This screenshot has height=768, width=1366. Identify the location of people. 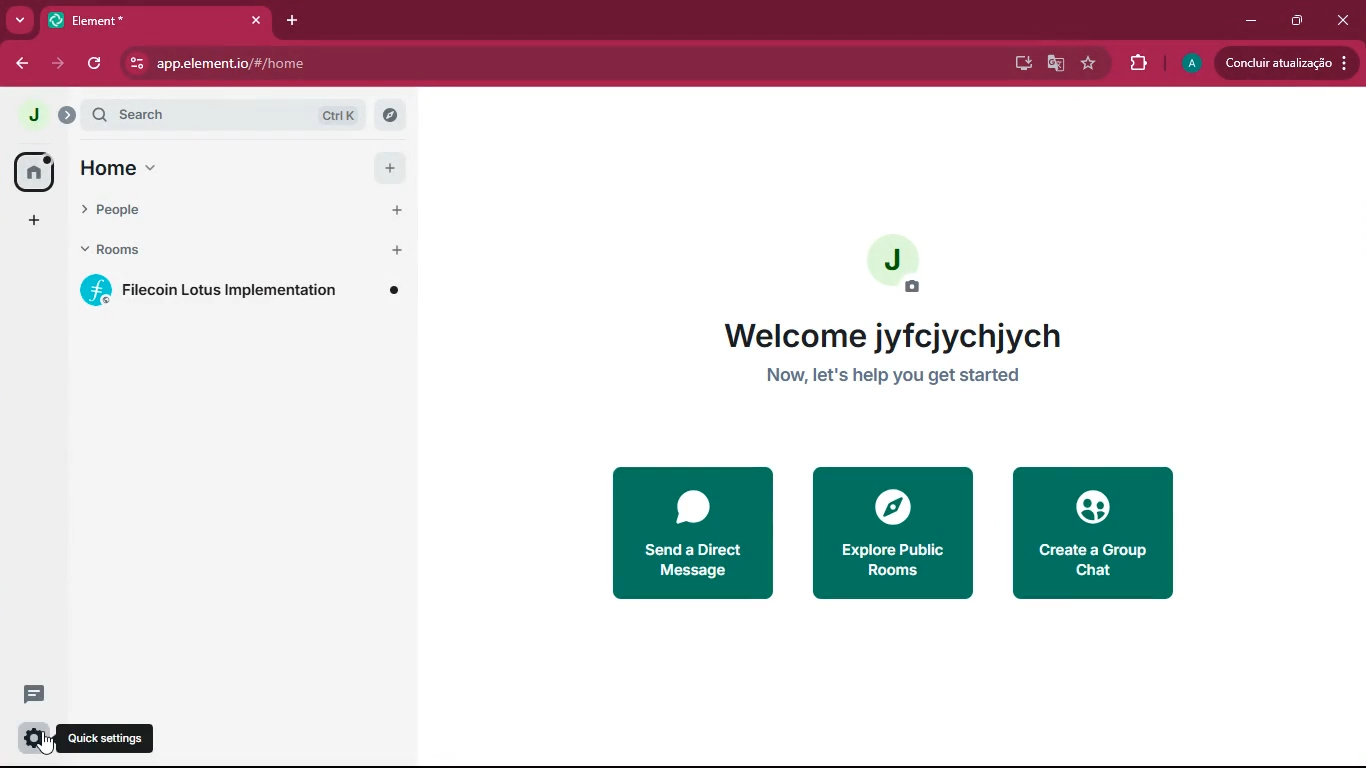
(236, 212).